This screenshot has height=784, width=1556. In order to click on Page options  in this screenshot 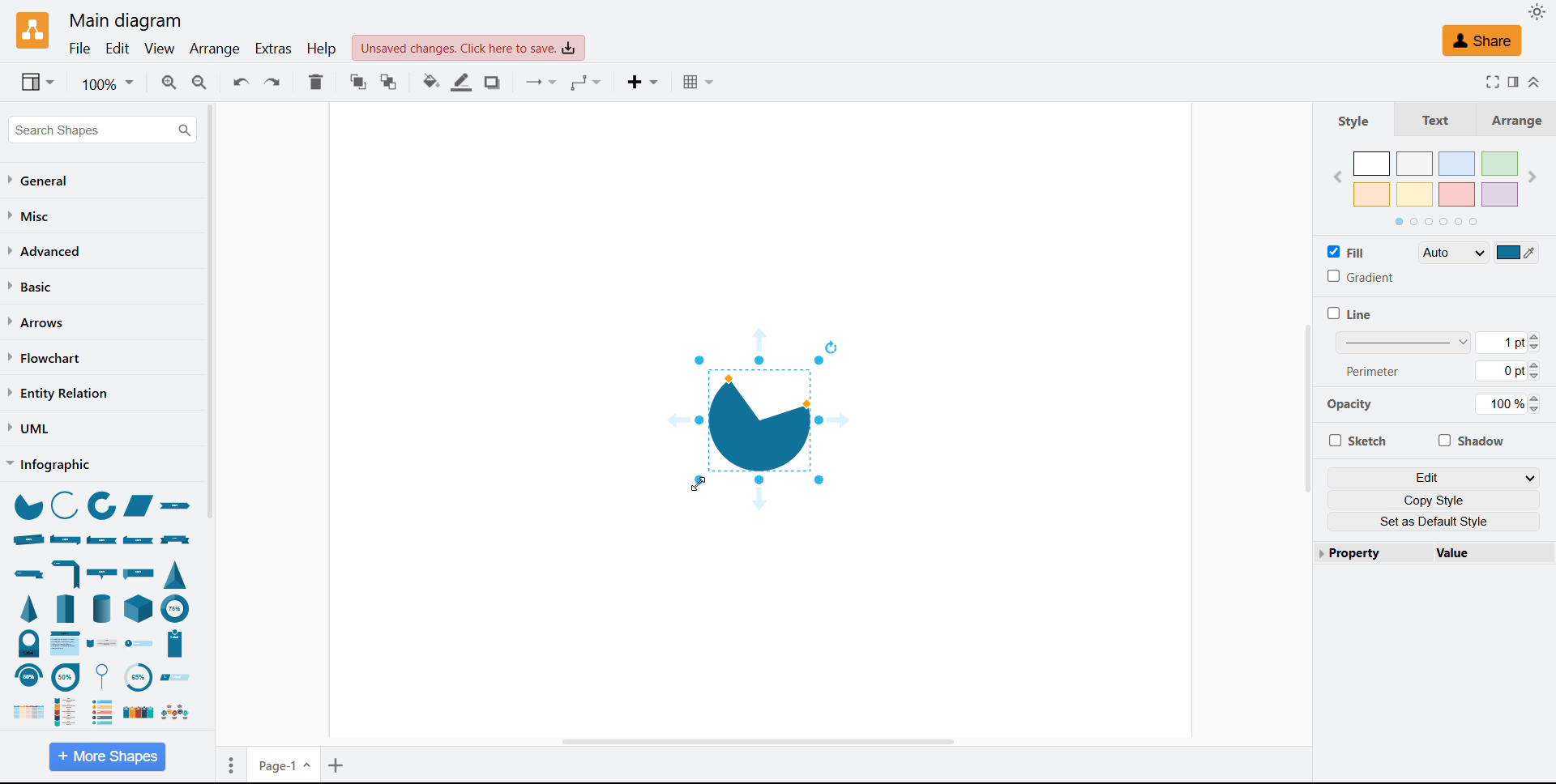, I will do `click(231, 765)`.